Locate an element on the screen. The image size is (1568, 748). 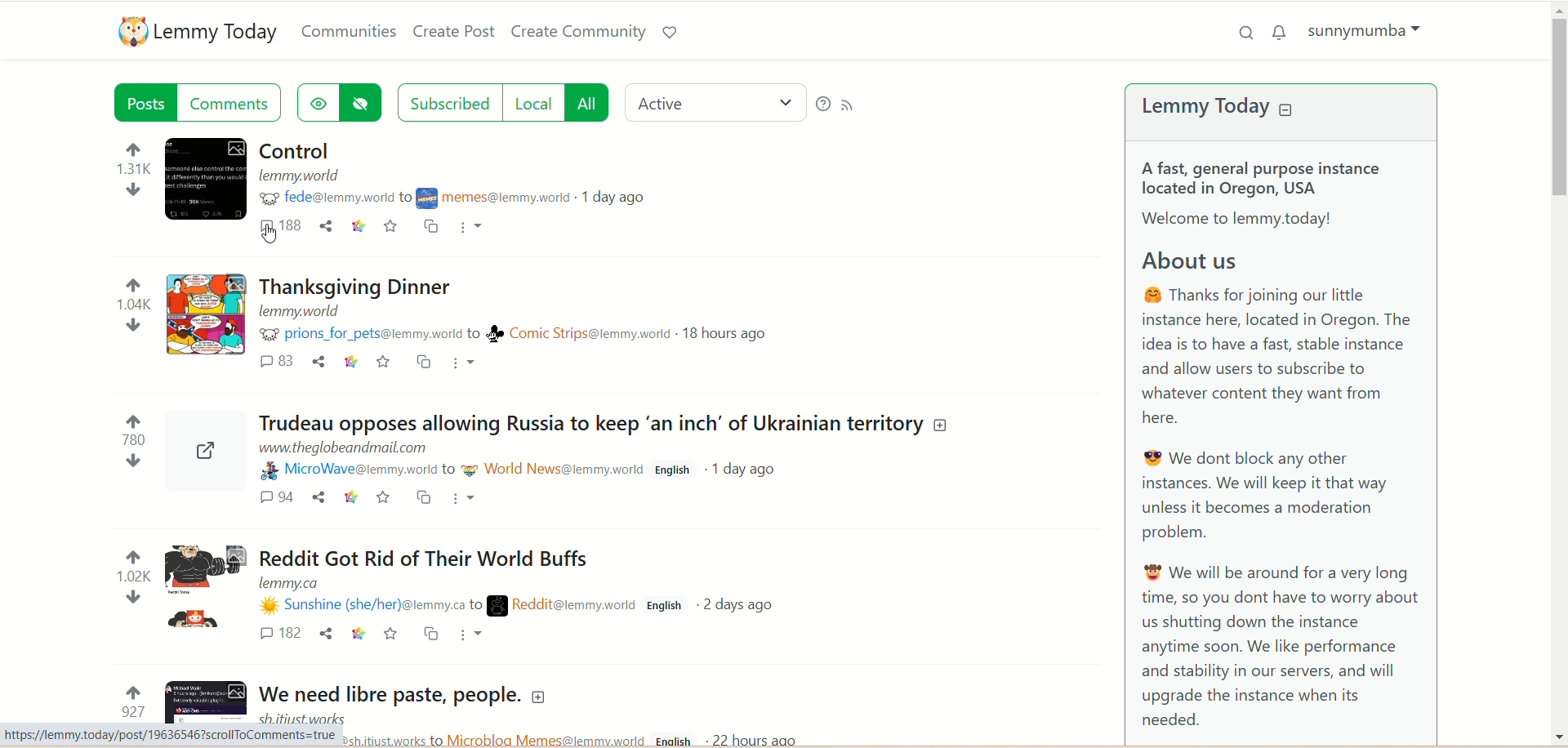
Post on "Thanksgiving Dinner" is located at coordinates (367, 287).